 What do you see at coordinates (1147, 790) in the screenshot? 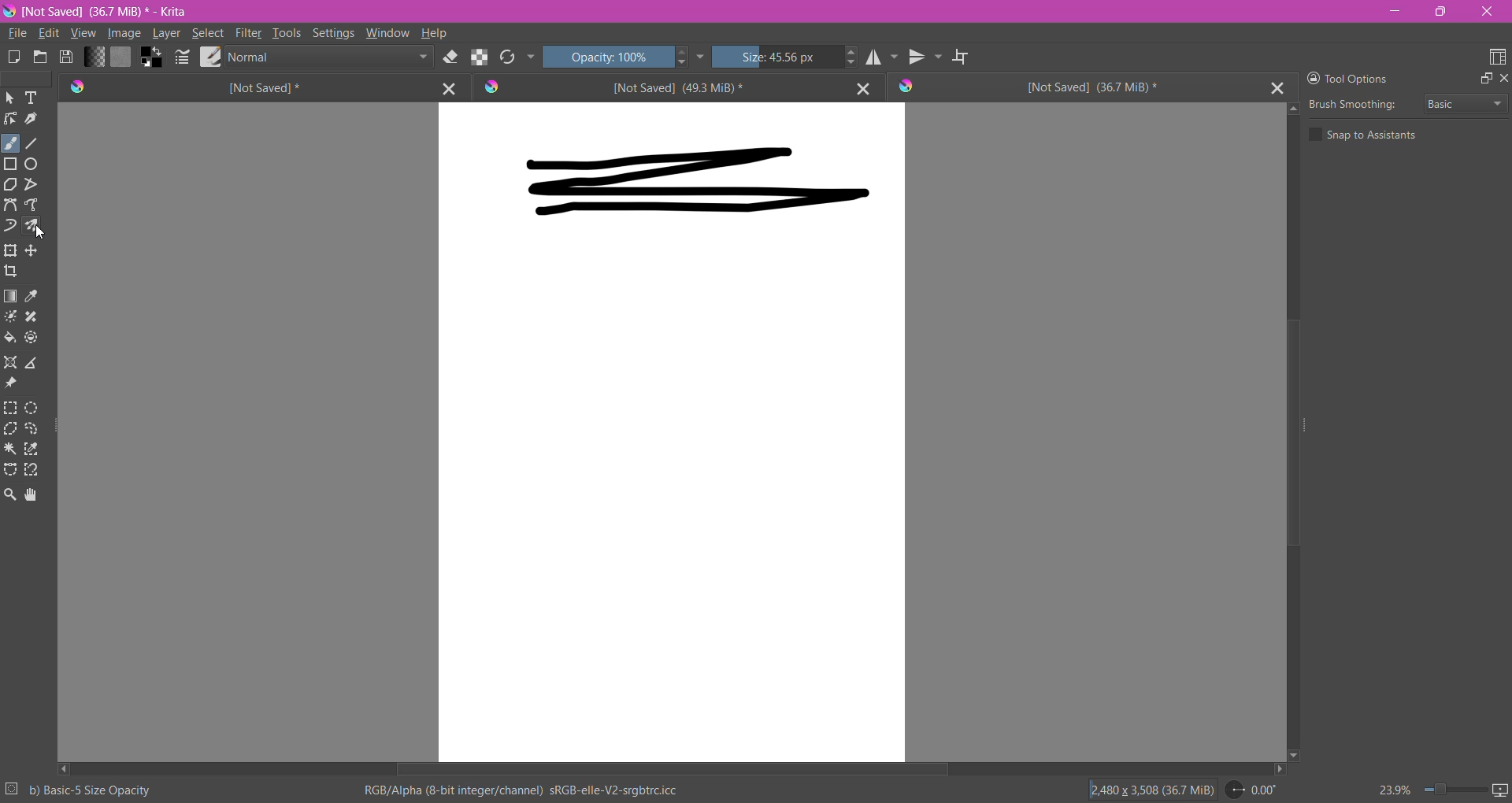
I see `Image Size` at bounding box center [1147, 790].